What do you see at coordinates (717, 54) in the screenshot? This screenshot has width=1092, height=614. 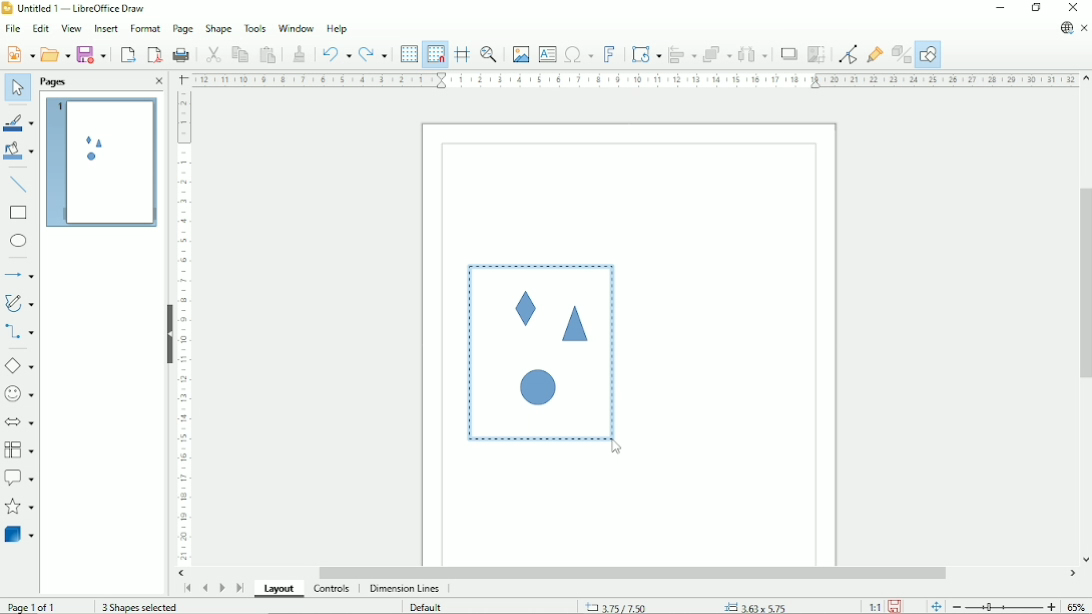 I see `Arrange` at bounding box center [717, 54].